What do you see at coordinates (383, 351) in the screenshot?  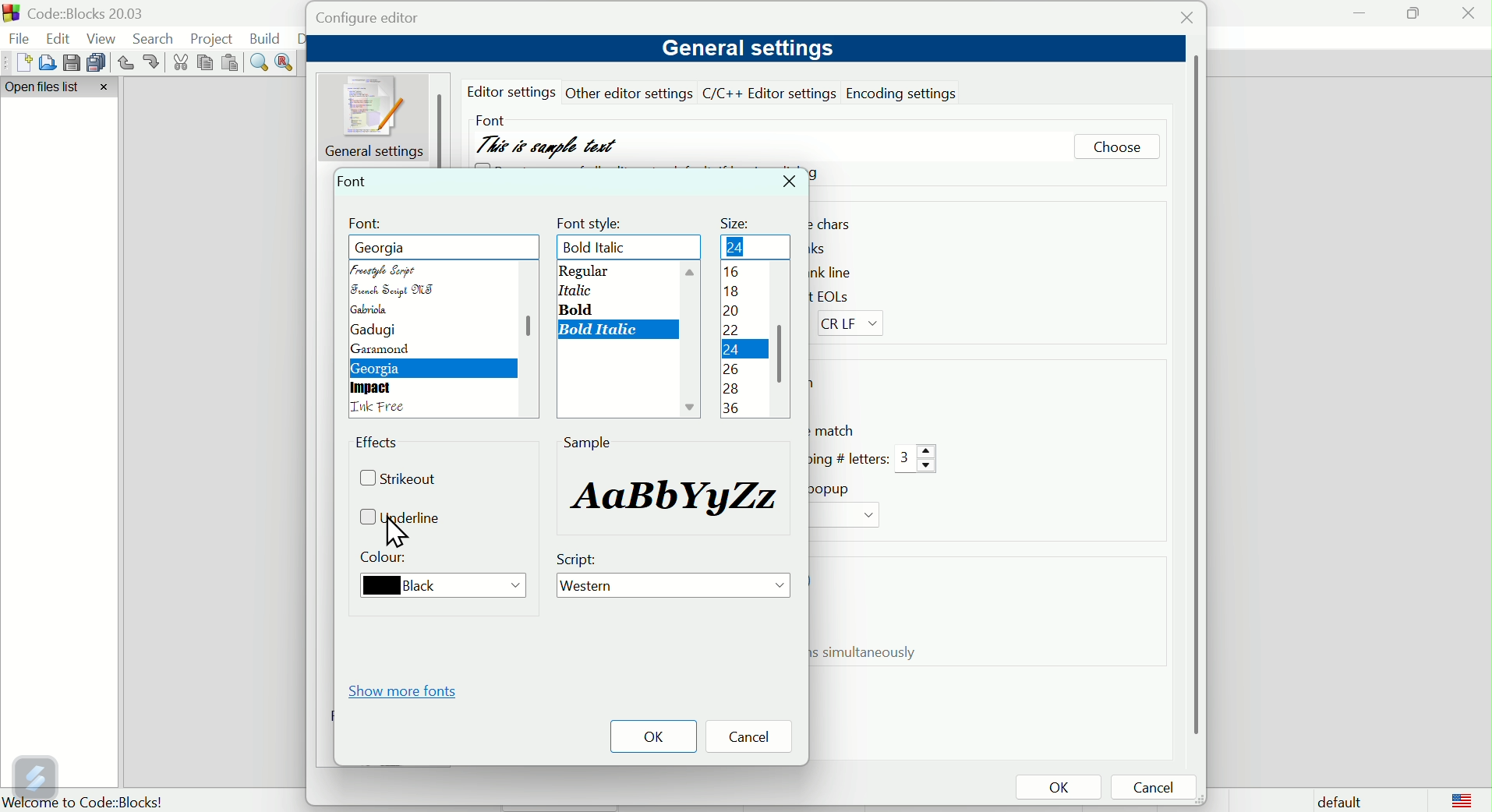 I see `Garamond` at bounding box center [383, 351].